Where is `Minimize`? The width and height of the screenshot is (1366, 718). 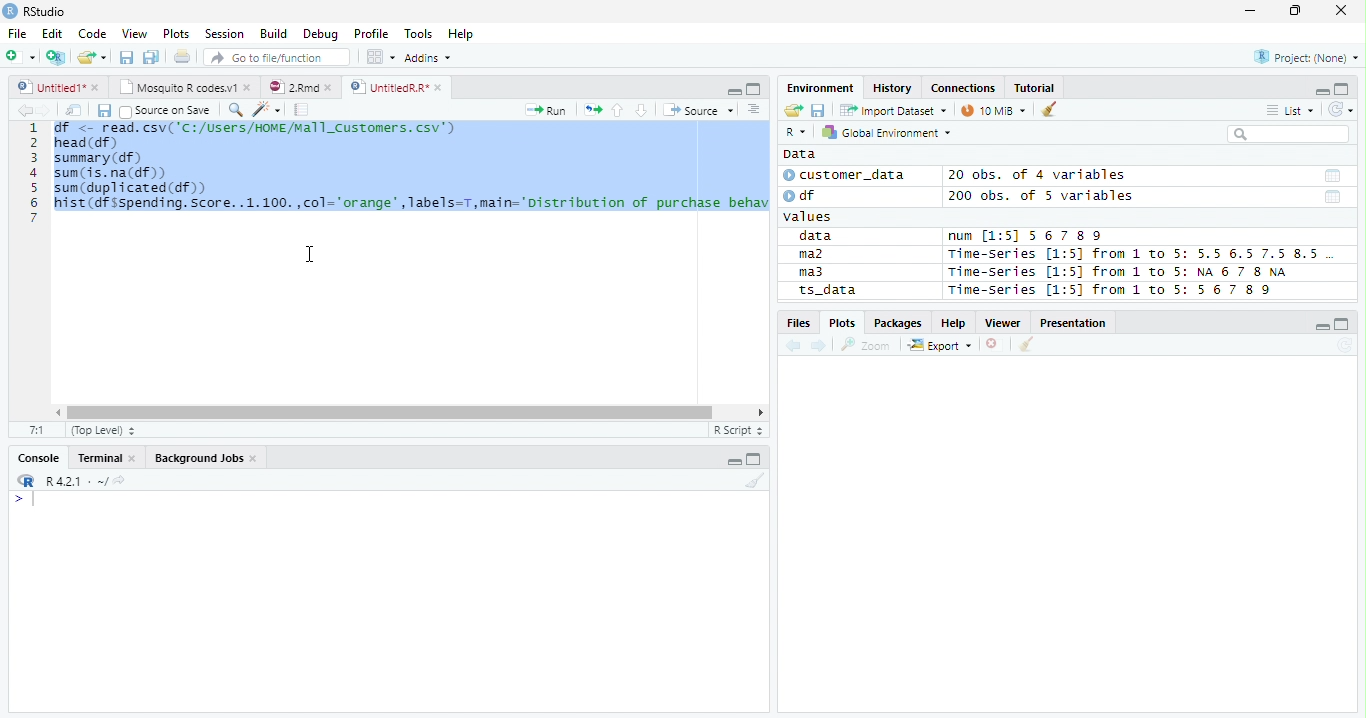
Minimize is located at coordinates (732, 90).